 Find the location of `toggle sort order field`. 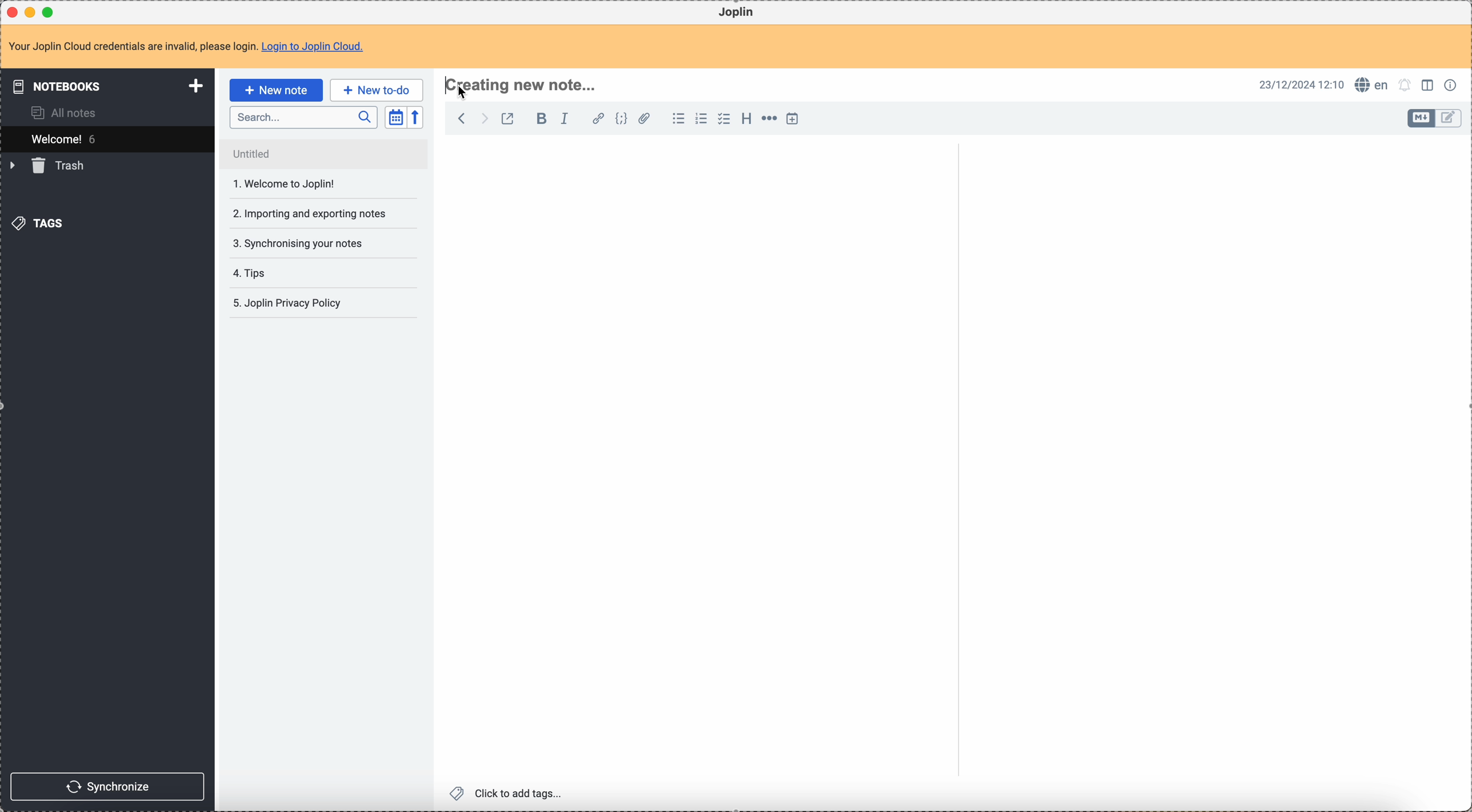

toggle sort order field is located at coordinates (395, 117).